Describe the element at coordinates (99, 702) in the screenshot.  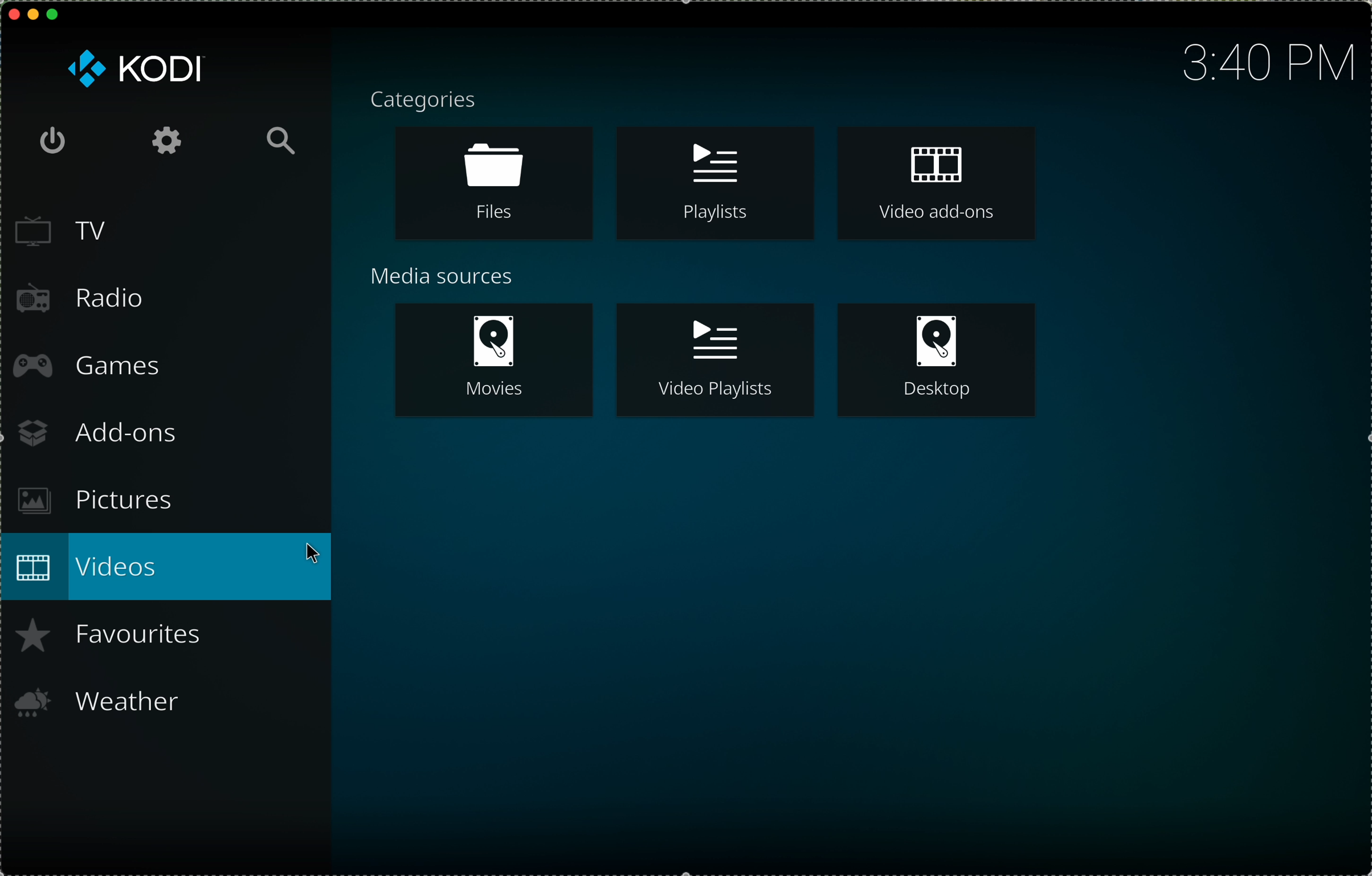
I see `weather` at that location.